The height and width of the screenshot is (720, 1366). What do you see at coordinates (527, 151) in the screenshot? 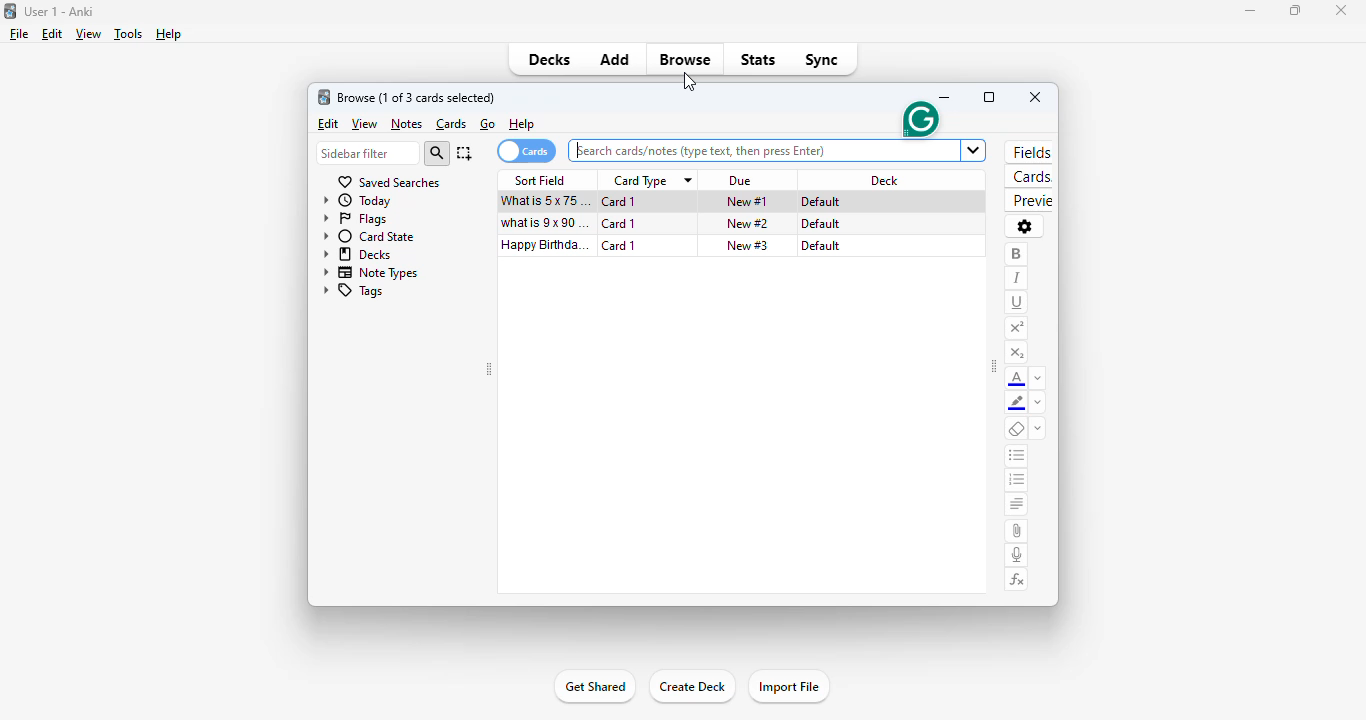
I see `cards` at bounding box center [527, 151].